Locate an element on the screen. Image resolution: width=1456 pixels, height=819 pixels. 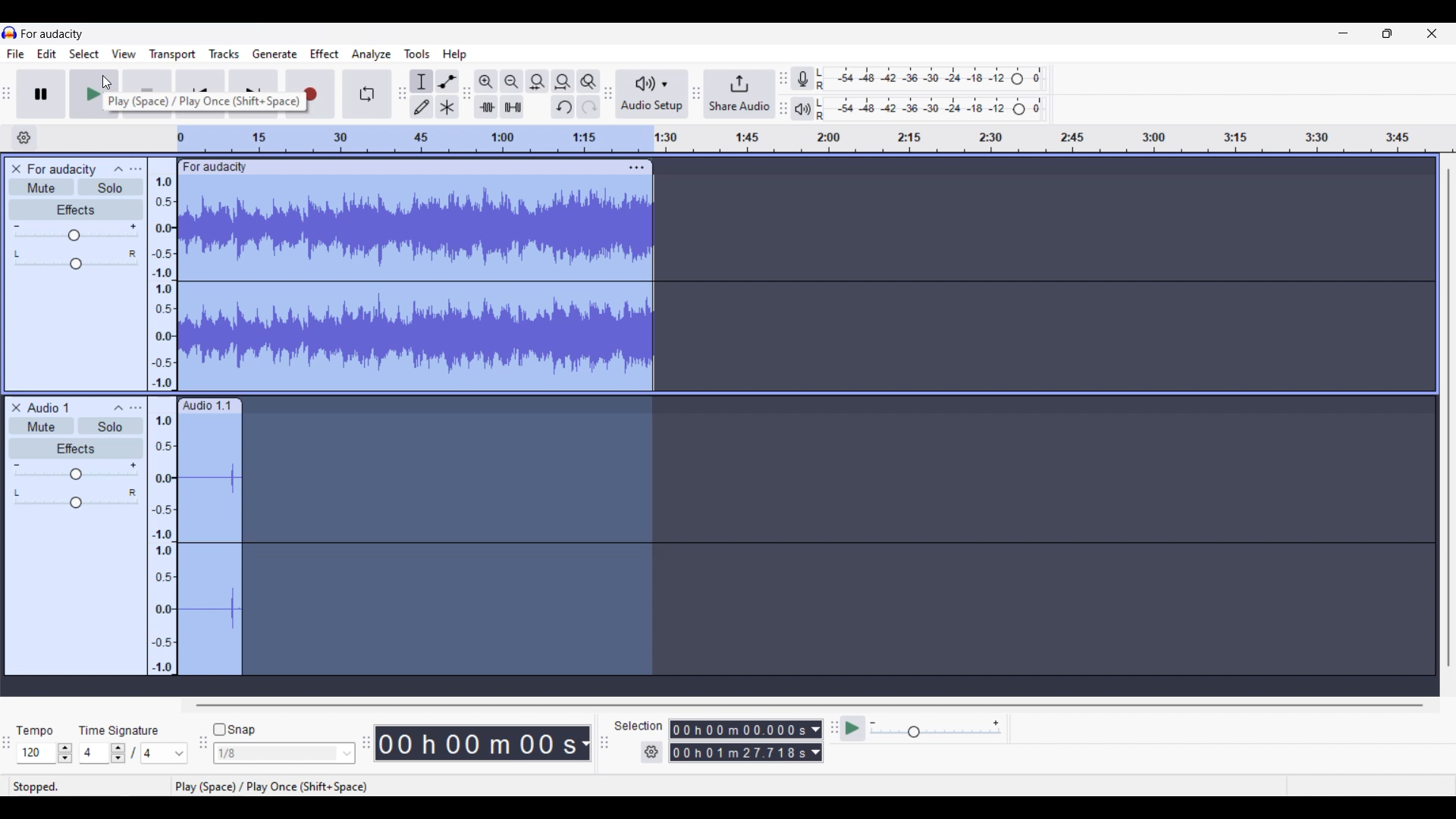
audio 1 is located at coordinates (49, 408).